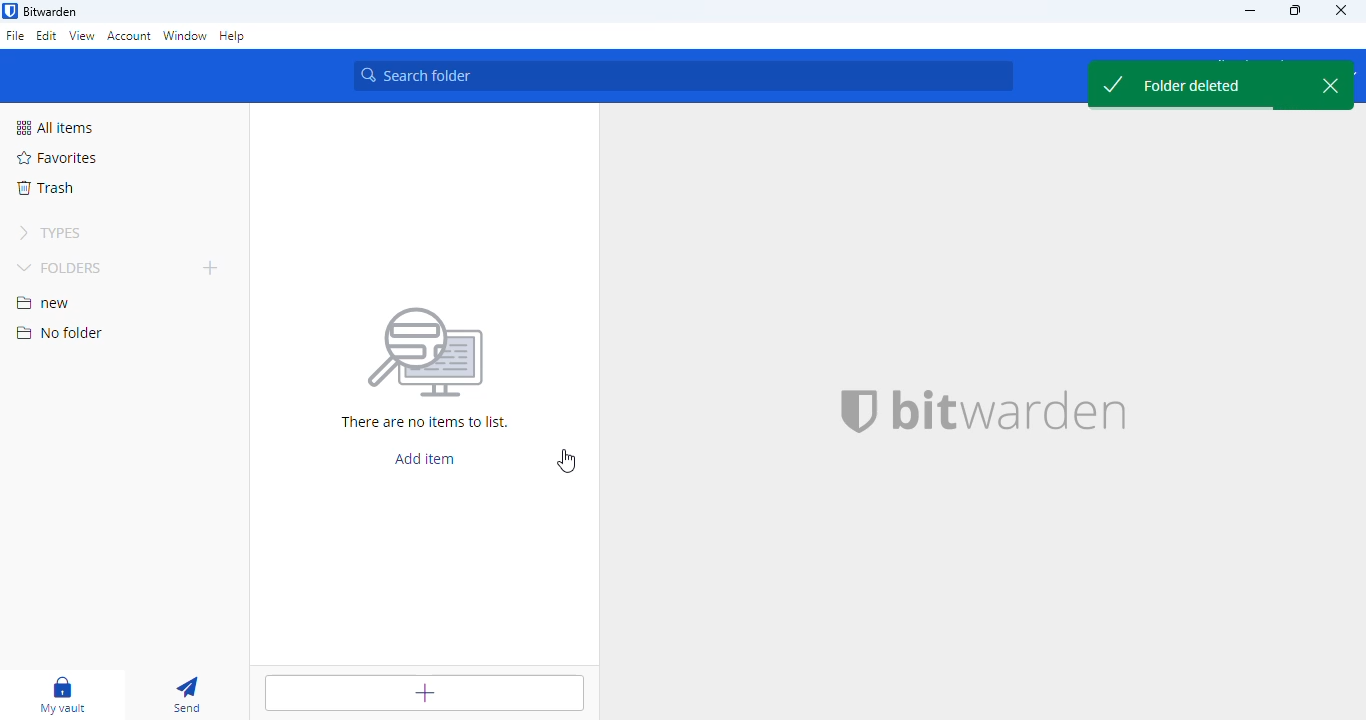 This screenshot has height=720, width=1366. I want to click on my vault, so click(63, 695).